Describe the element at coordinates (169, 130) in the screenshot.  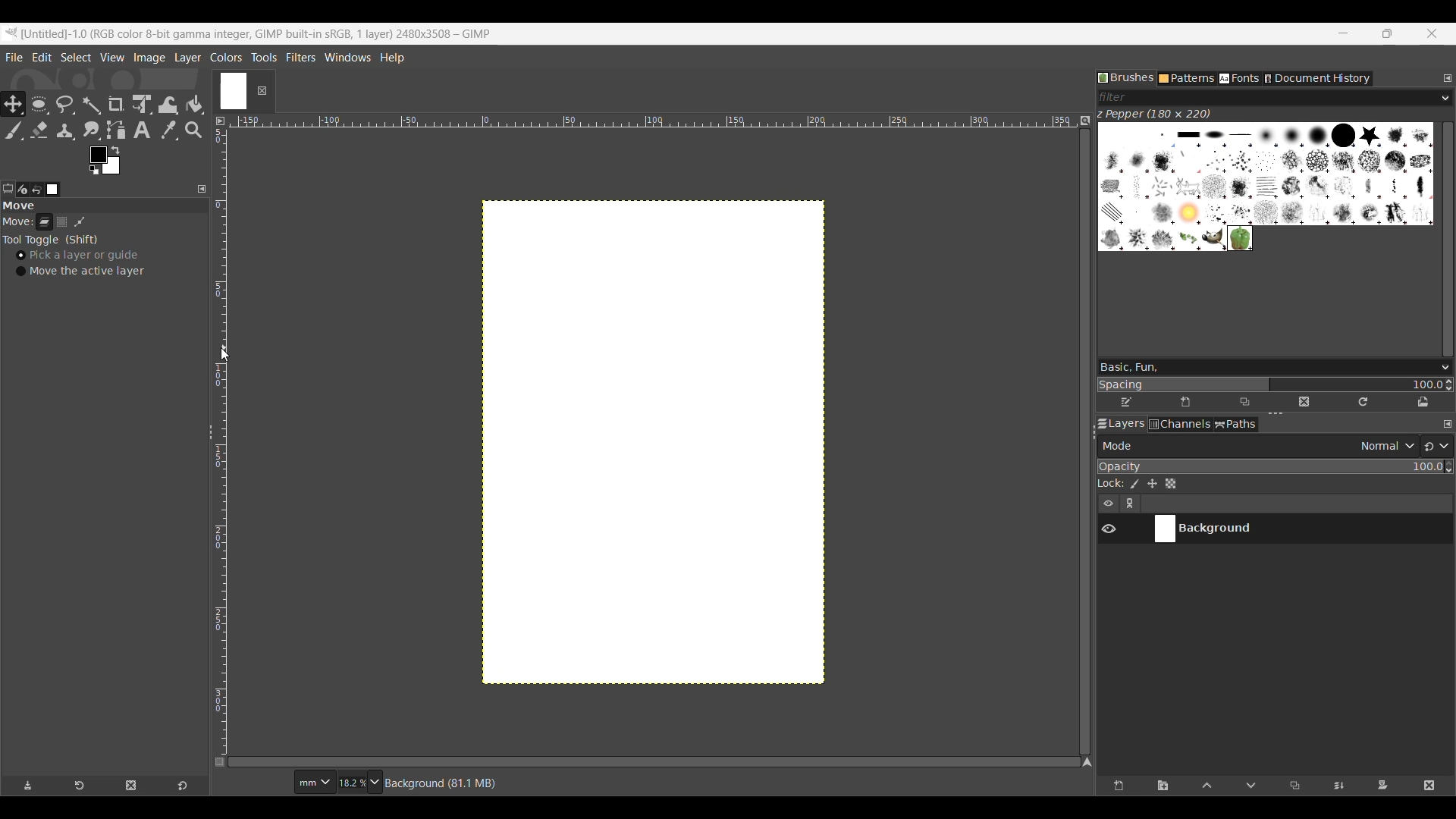
I see `Color picker tool` at that location.